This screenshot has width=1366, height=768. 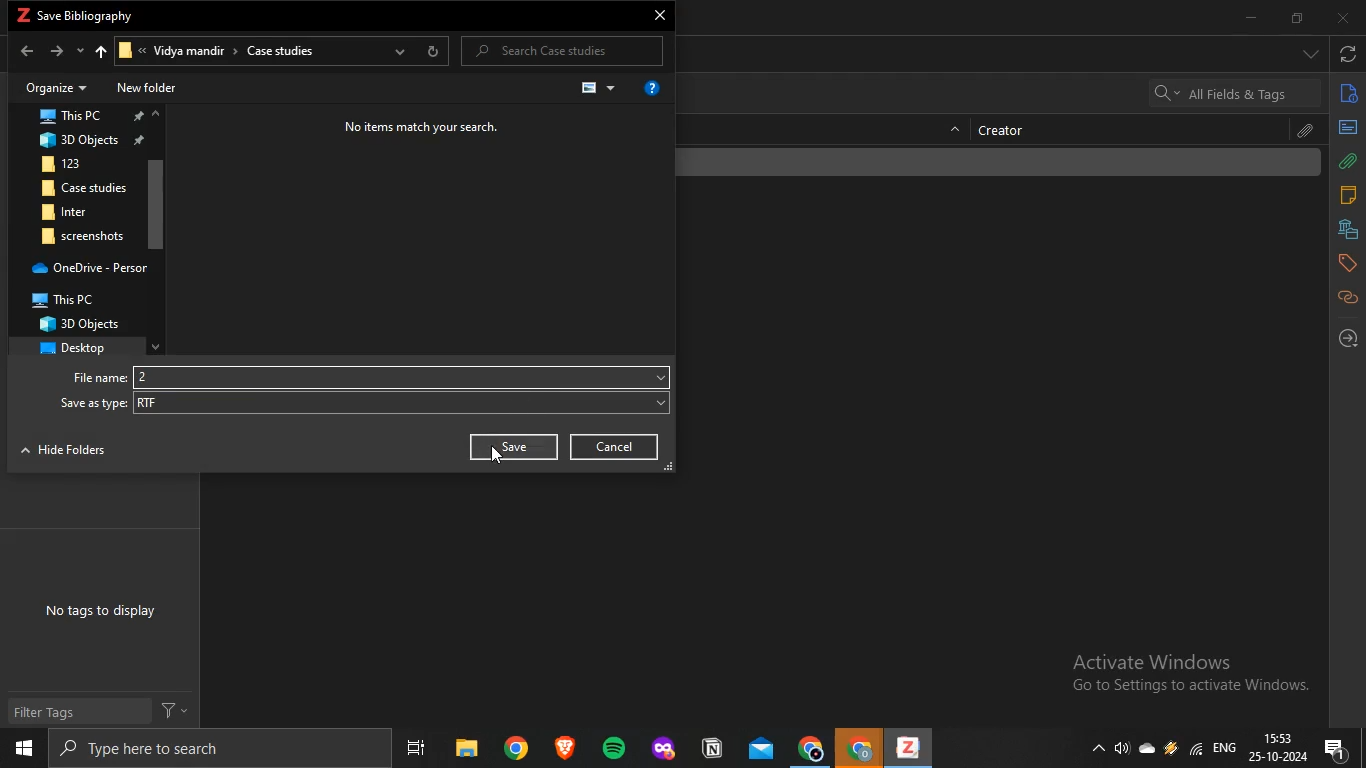 What do you see at coordinates (81, 53) in the screenshot?
I see `recent locations` at bounding box center [81, 53].